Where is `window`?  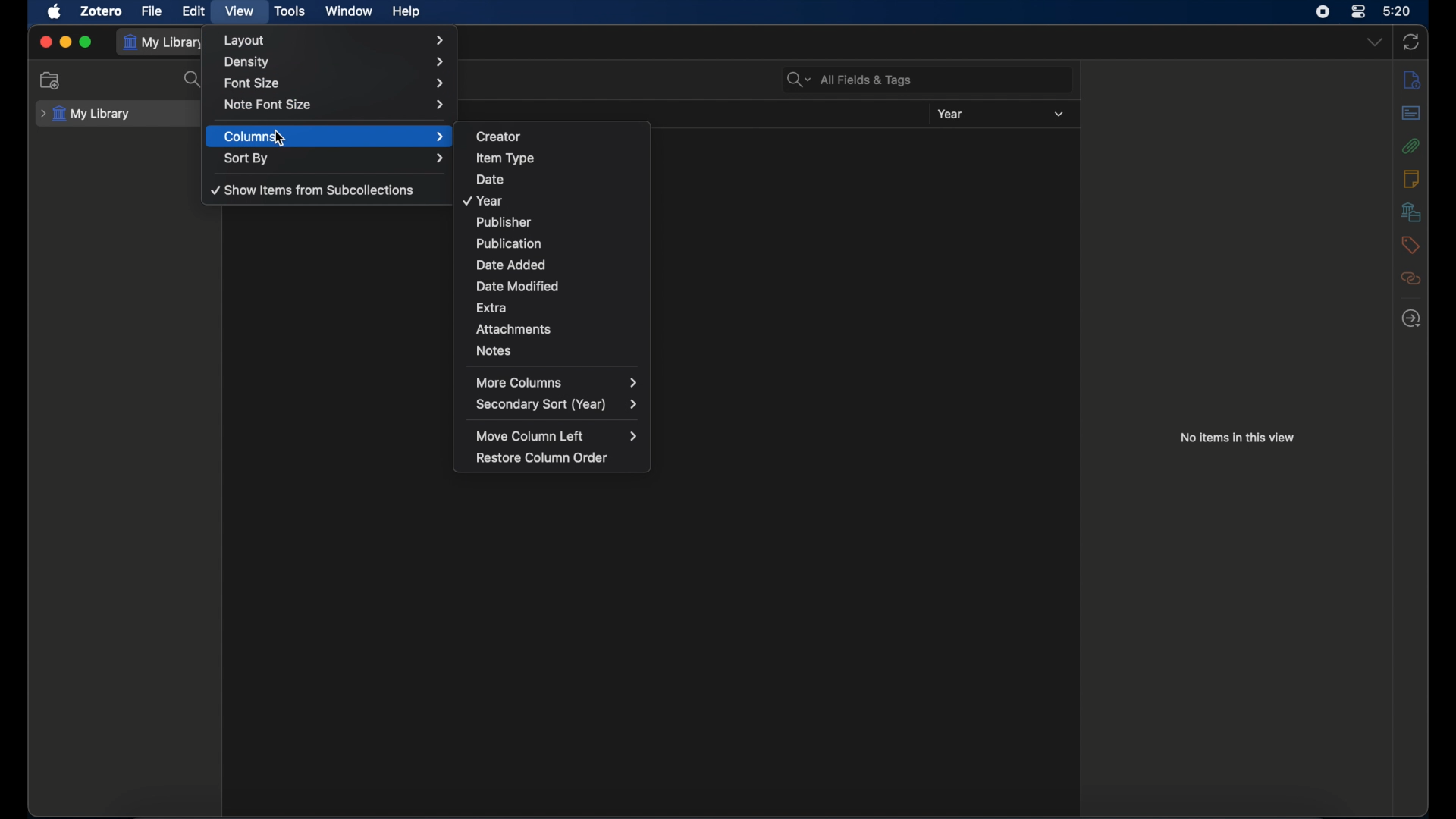 window is located at coordinates (349, 11).